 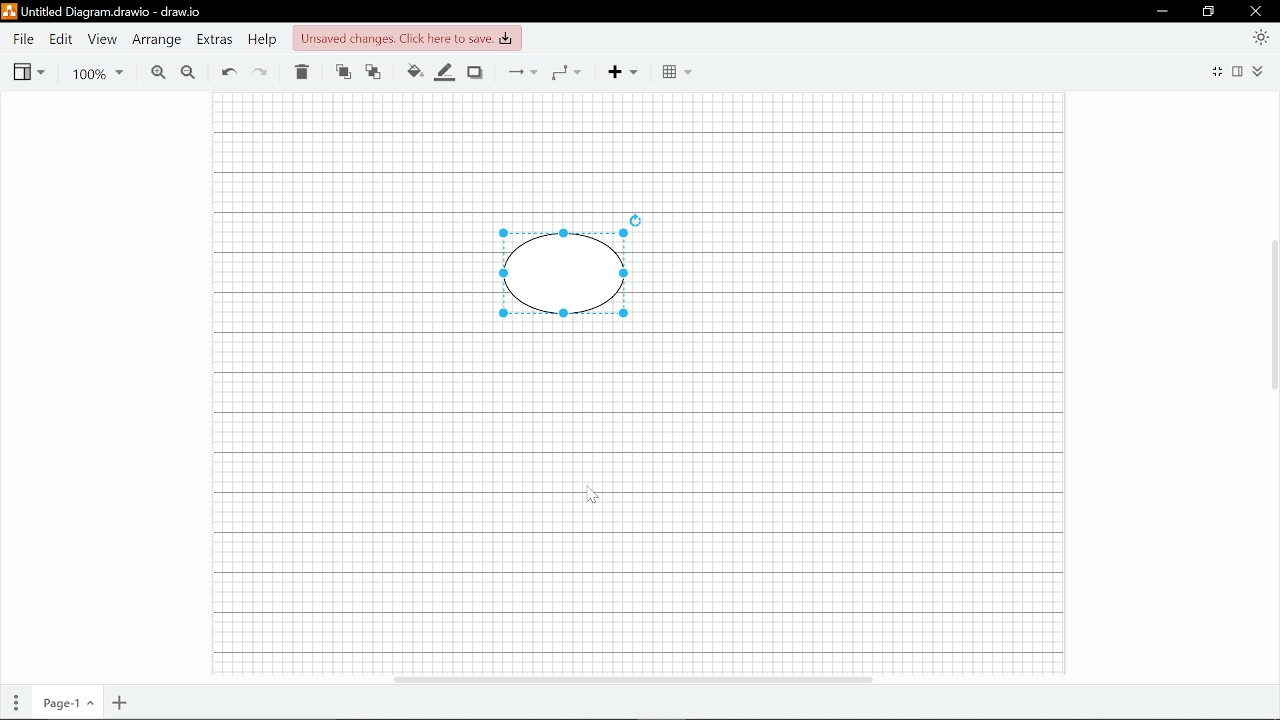 I want to click on Table, so click(x=678, y=73).